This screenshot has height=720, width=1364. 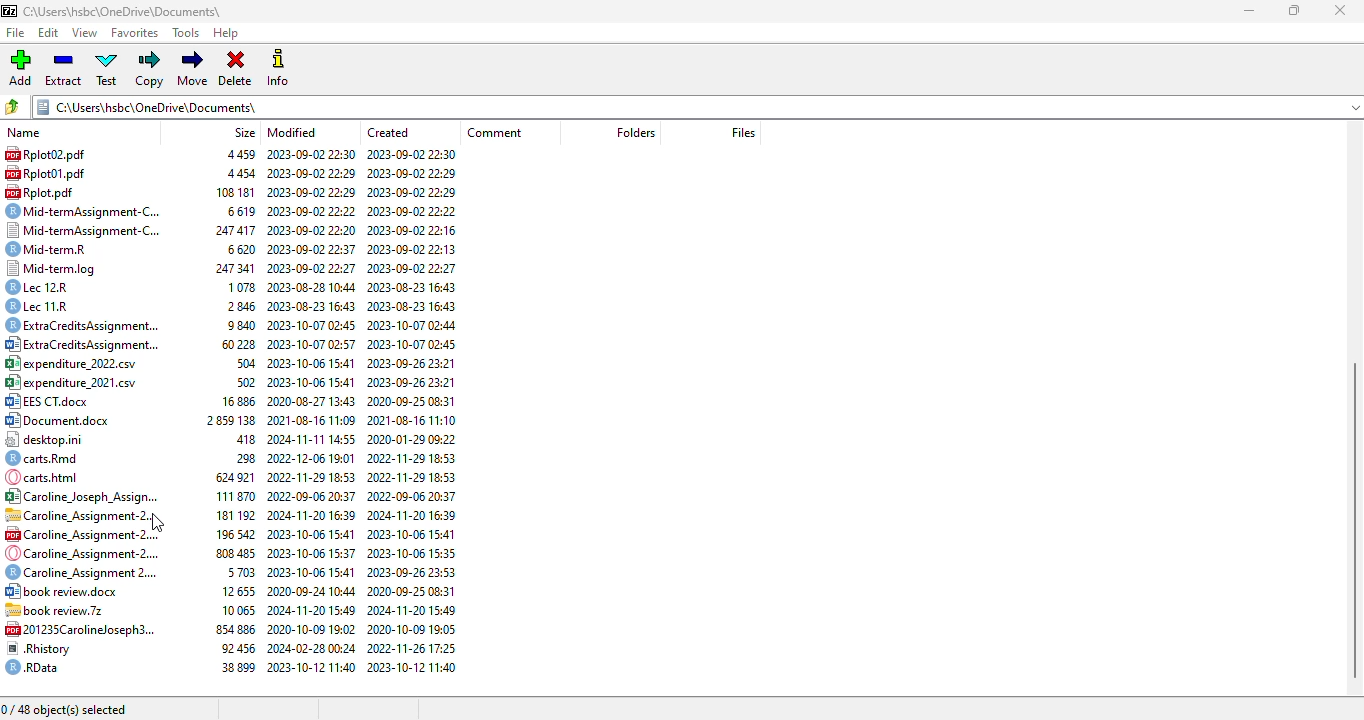 I want to click on 2024-11-20 16:39, so click(x=411, y=515).